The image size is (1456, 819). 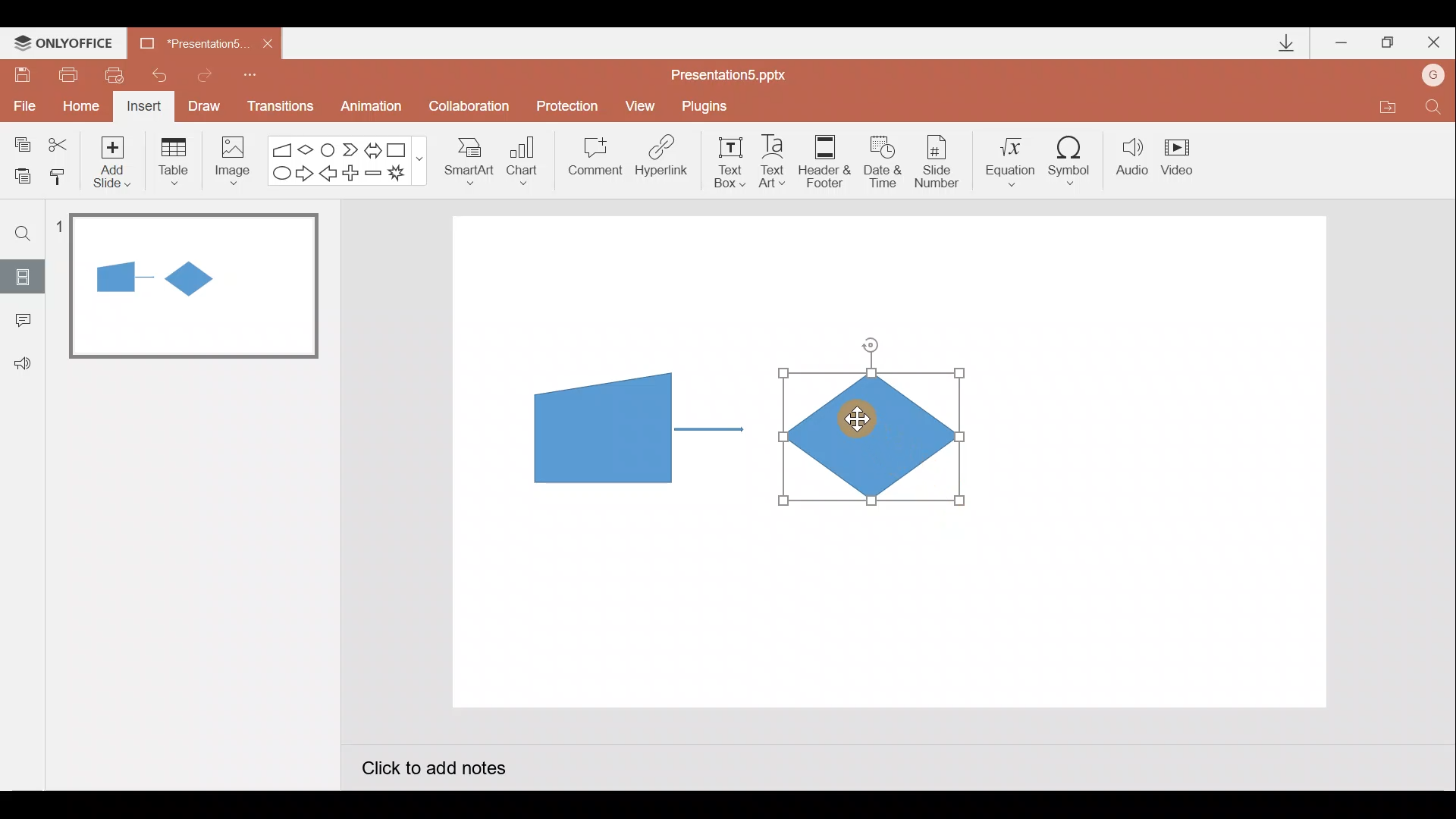 I want to click on Copy, so click(x=20, y=142).